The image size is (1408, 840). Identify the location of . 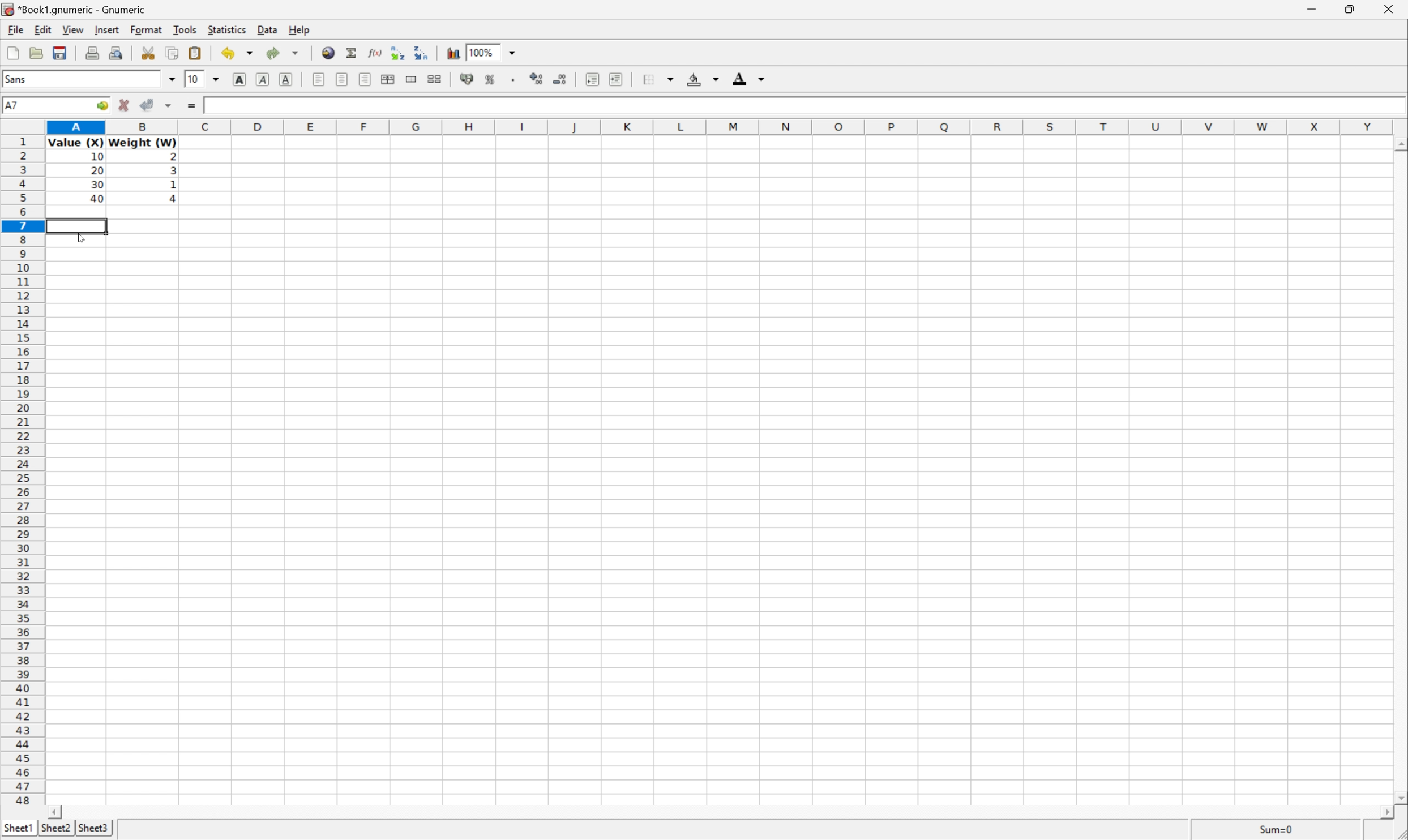
(96, 158).